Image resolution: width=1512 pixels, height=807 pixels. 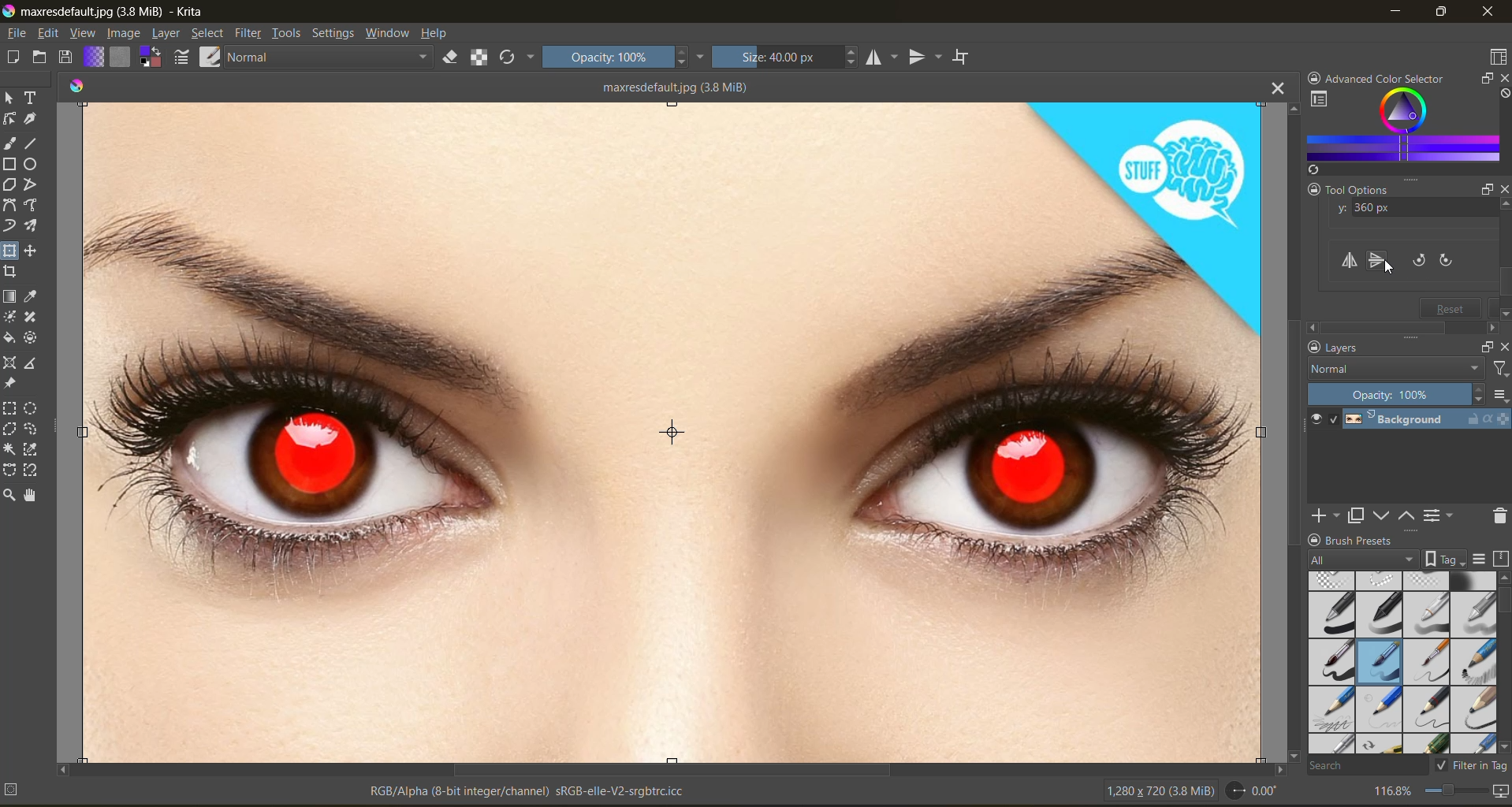 What do you see at coordinates (30, 337) in the screenshot?
I see `tool` at bounding box center [30, 337].